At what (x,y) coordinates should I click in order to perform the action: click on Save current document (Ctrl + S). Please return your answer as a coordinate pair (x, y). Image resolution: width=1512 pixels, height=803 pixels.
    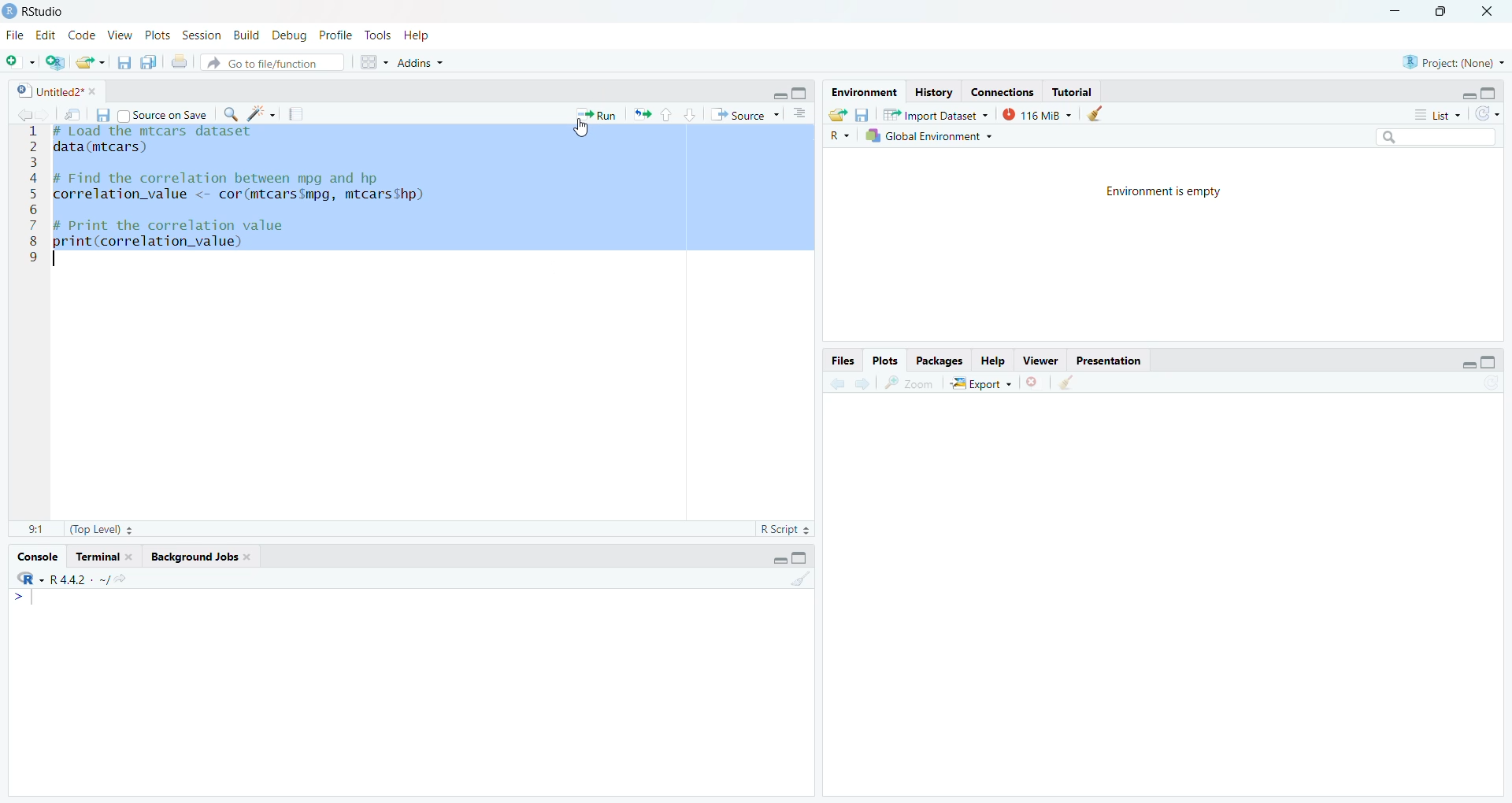
    Looking at the image, I should click on (106, 113).